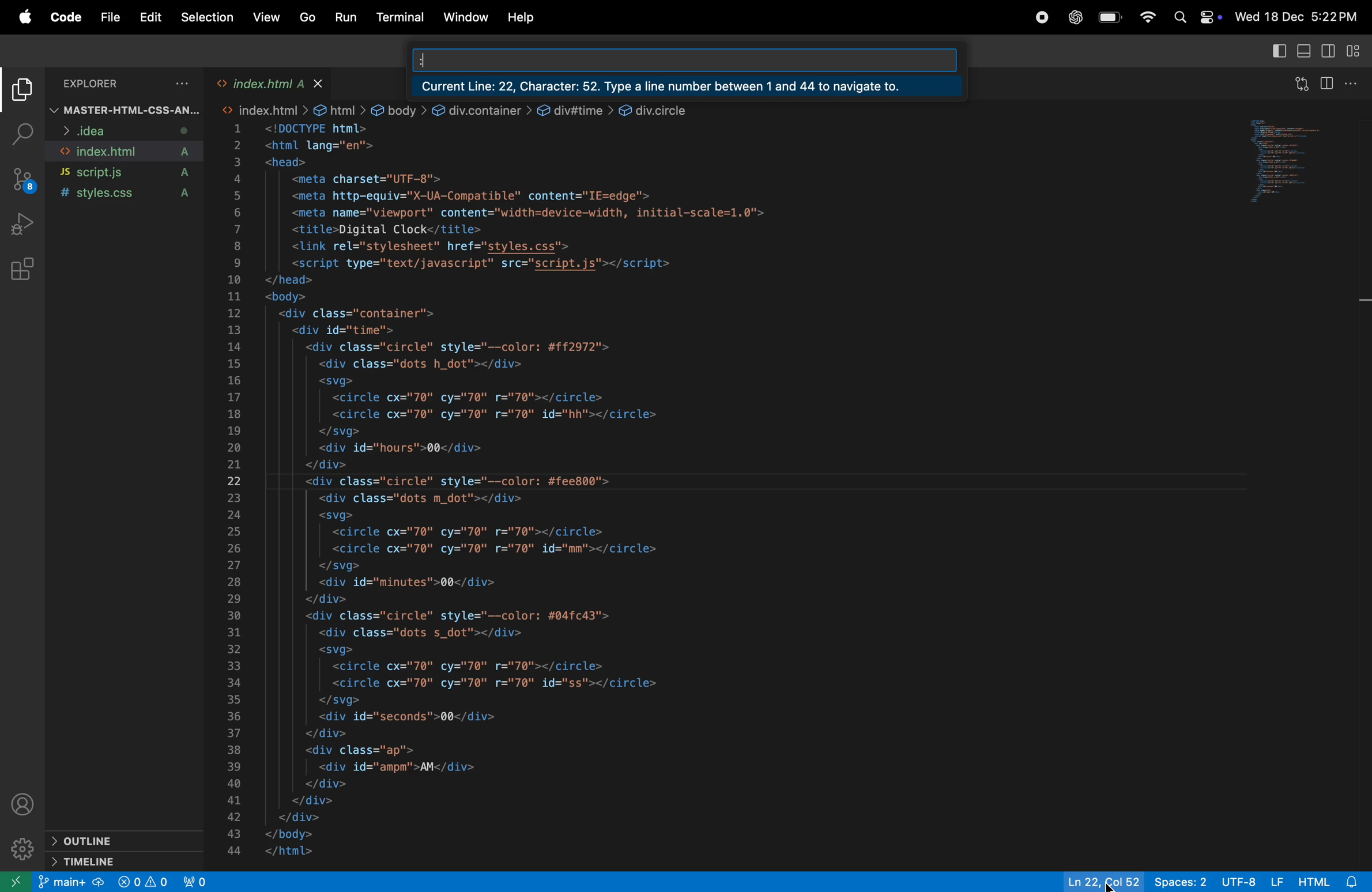 The image size is (1372, 892). Describe the element at coordinates (16, 881) in the screenshot. I see `open another window` at that location.